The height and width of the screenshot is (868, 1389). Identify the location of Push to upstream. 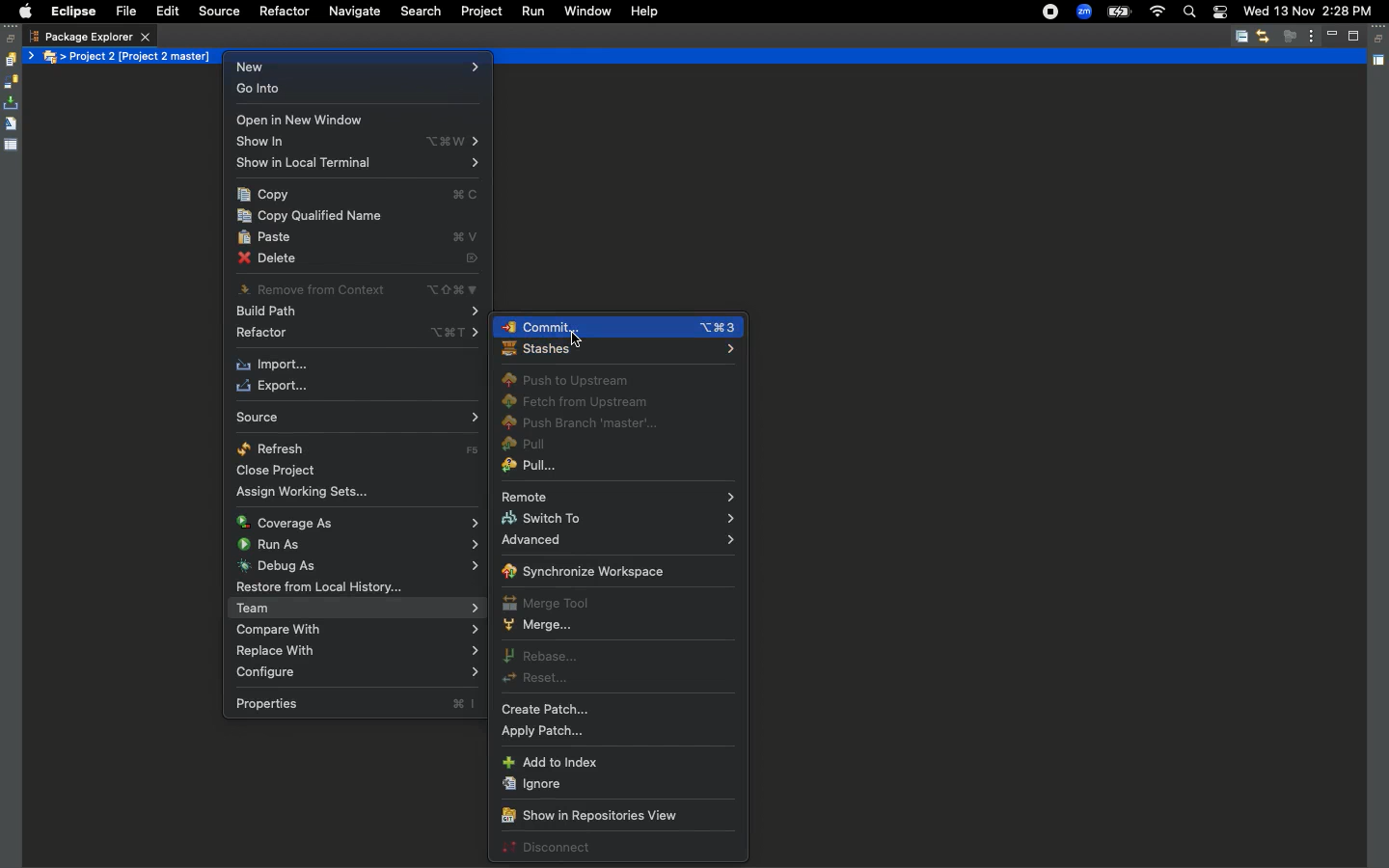
(566, 381).